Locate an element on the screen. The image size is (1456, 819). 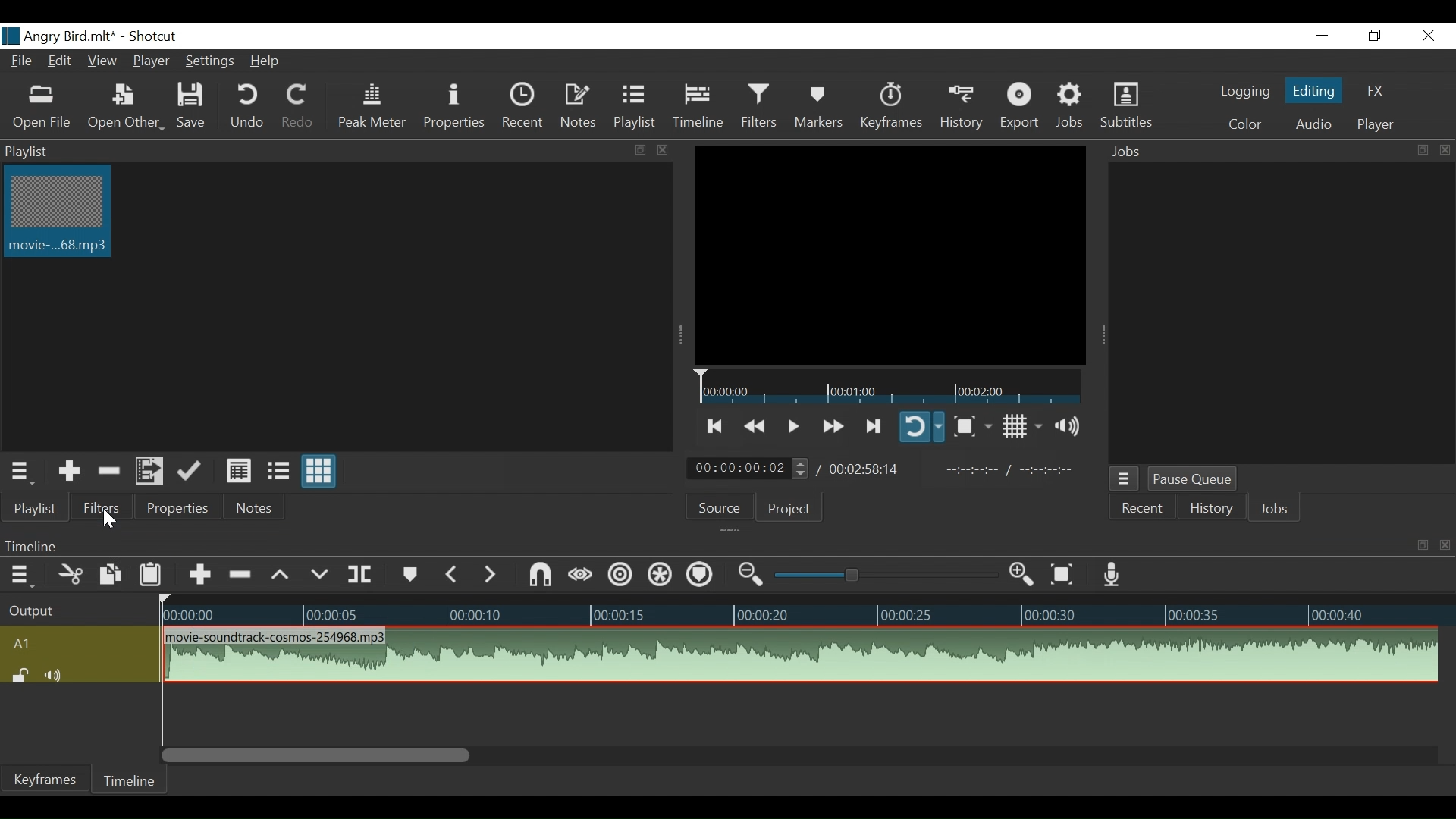
History is located at coordinates (961, 107).